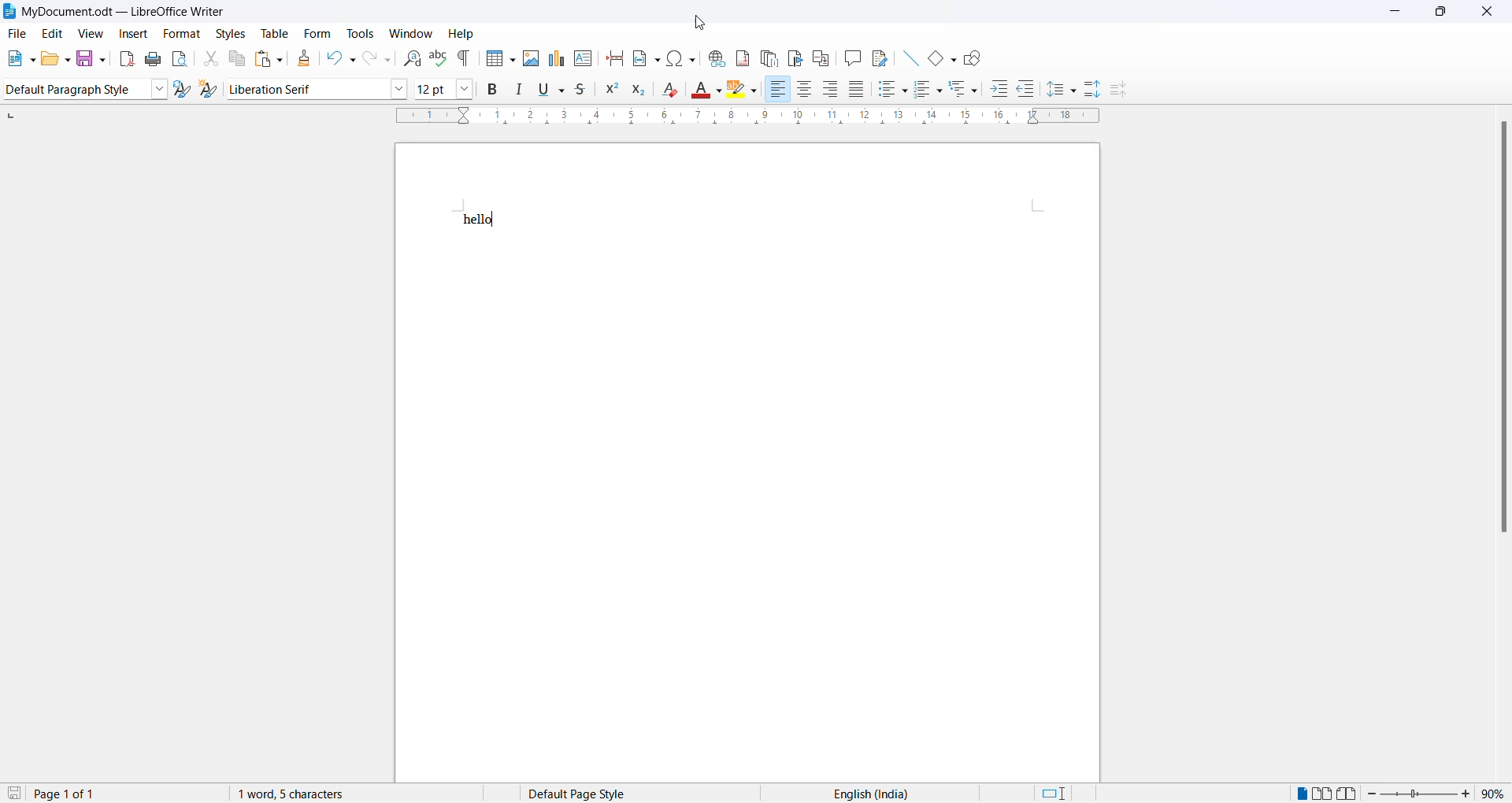 The height and width of the screenshot is (803, 1512). What do you see at coordinates (412, 33) in the screenshot?
I see `Window` at bounding box center [412, 33].